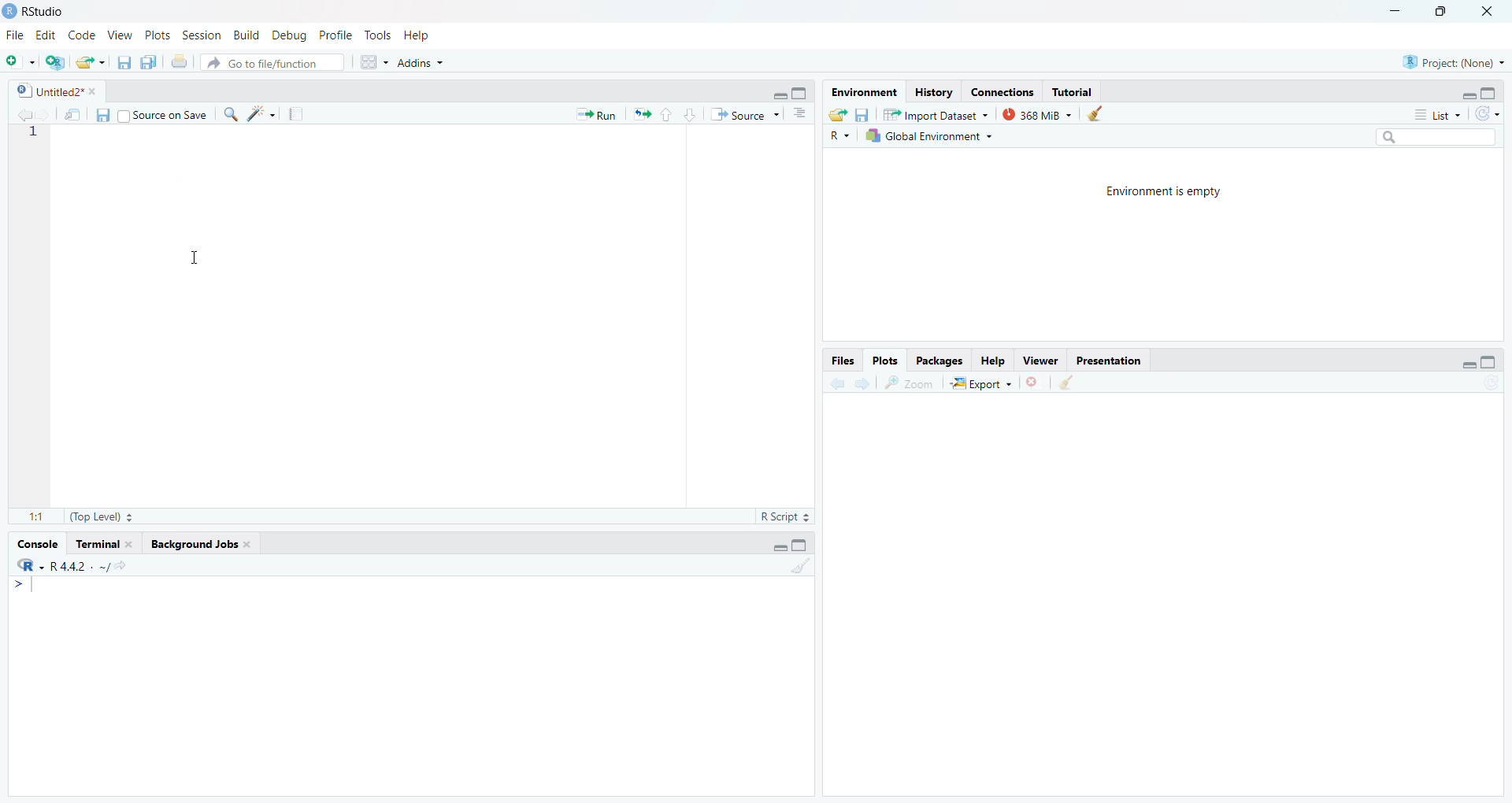 The image size is (1512, 803). Describe the element at coordinates (1001, 91) in the screenshot. I see `Connections` at that location.